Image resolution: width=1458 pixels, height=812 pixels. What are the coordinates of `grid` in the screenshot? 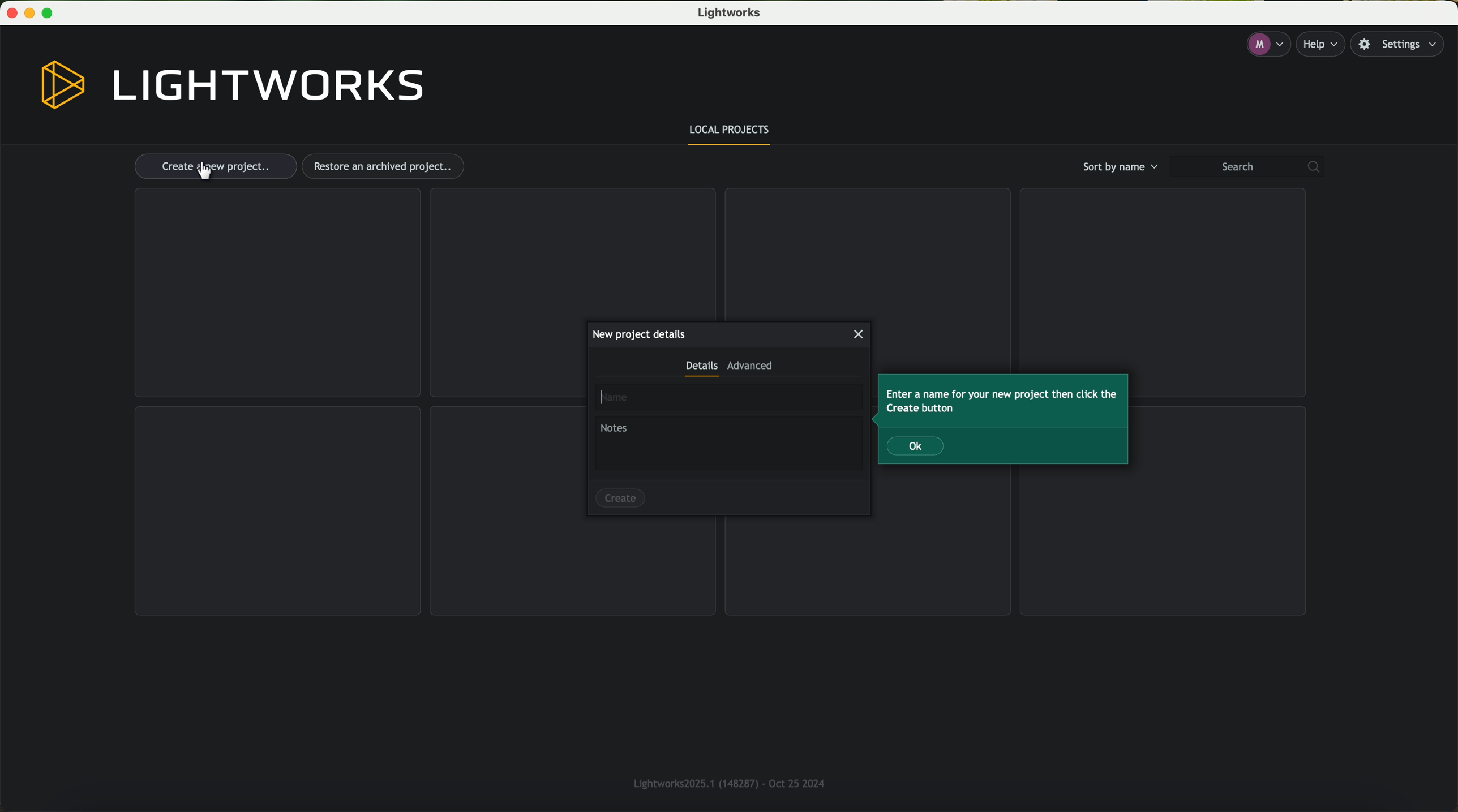 It's located at (865, 251).